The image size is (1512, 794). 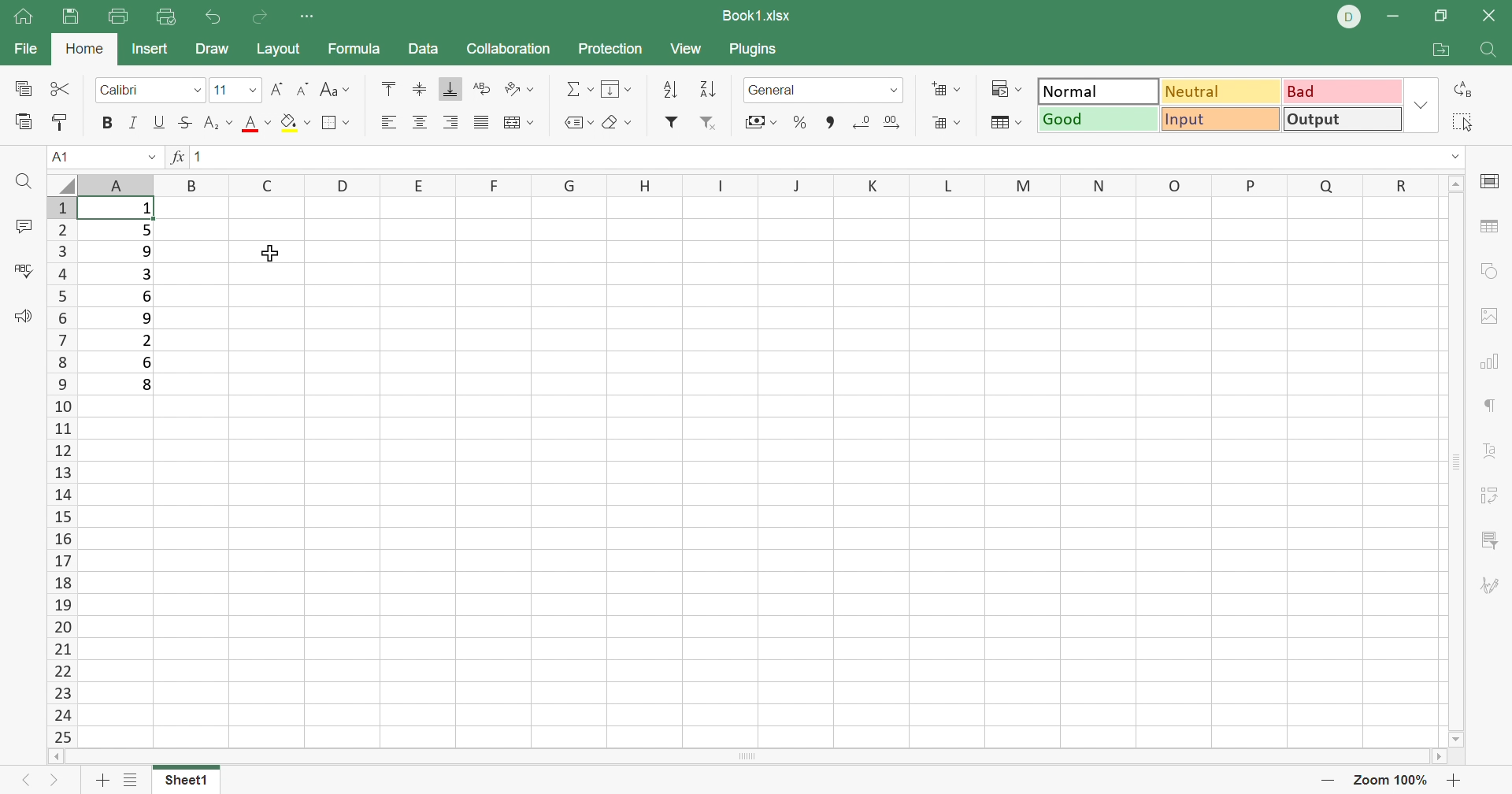 I want to click on Accounting style, so click(x=759, y=121).